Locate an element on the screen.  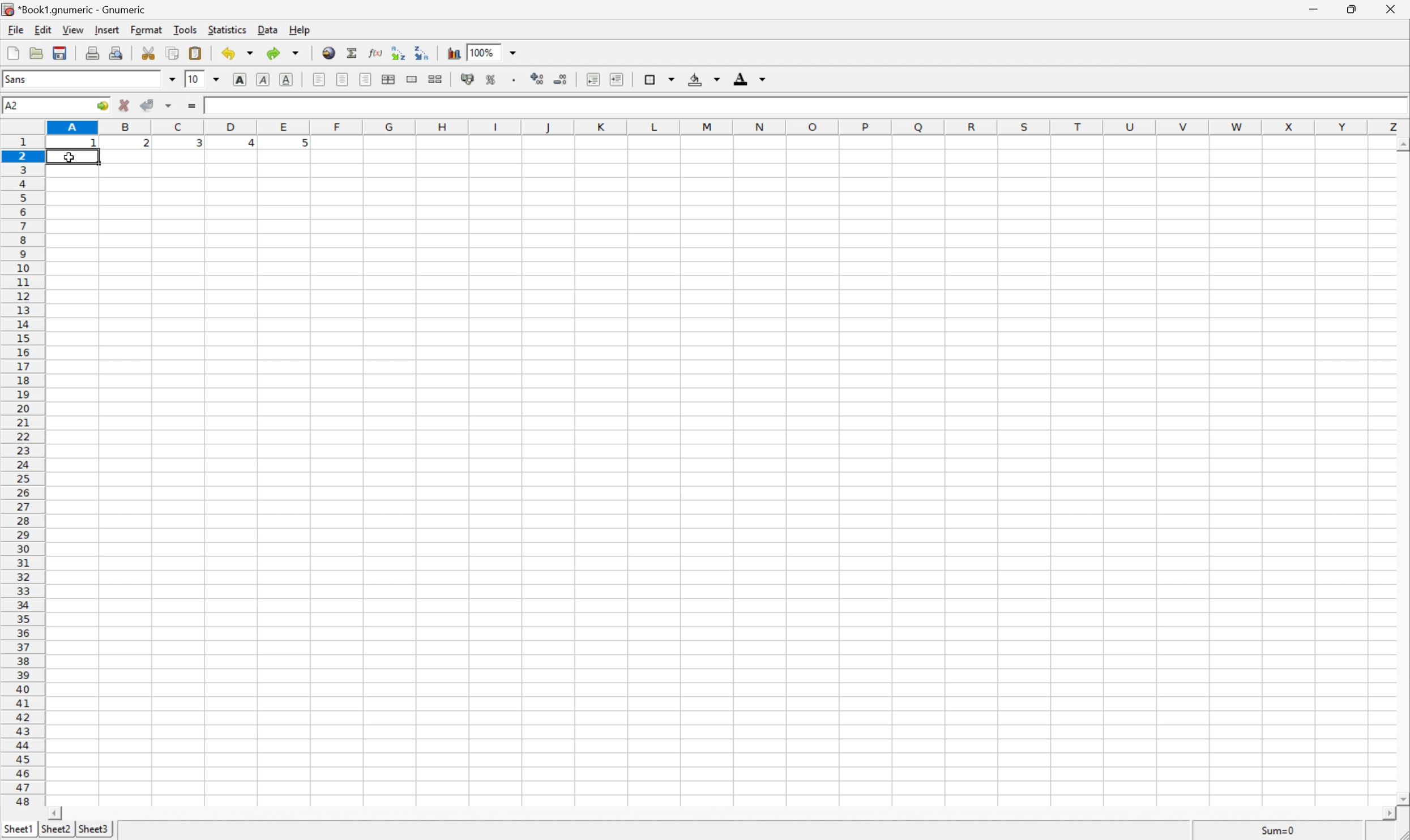
row numbers is located at coordinates (23, 471).